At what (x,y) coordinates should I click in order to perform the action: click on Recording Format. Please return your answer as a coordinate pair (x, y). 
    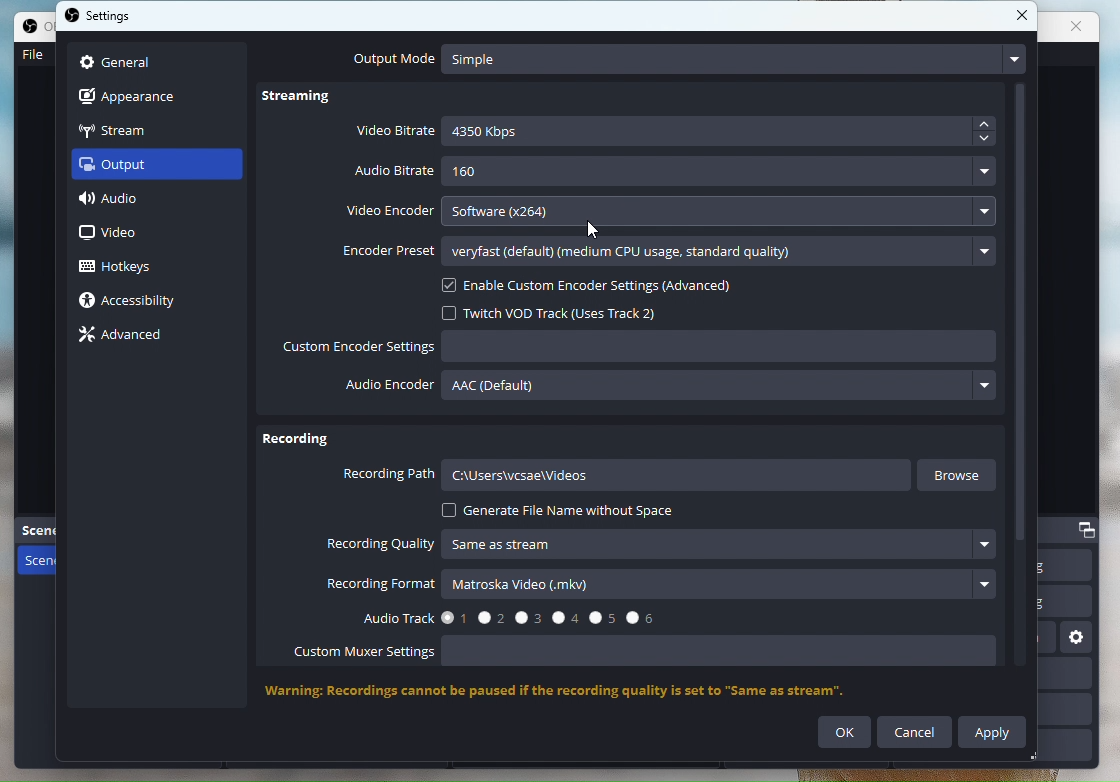
    Looking at the image, I should click on (661, 586).